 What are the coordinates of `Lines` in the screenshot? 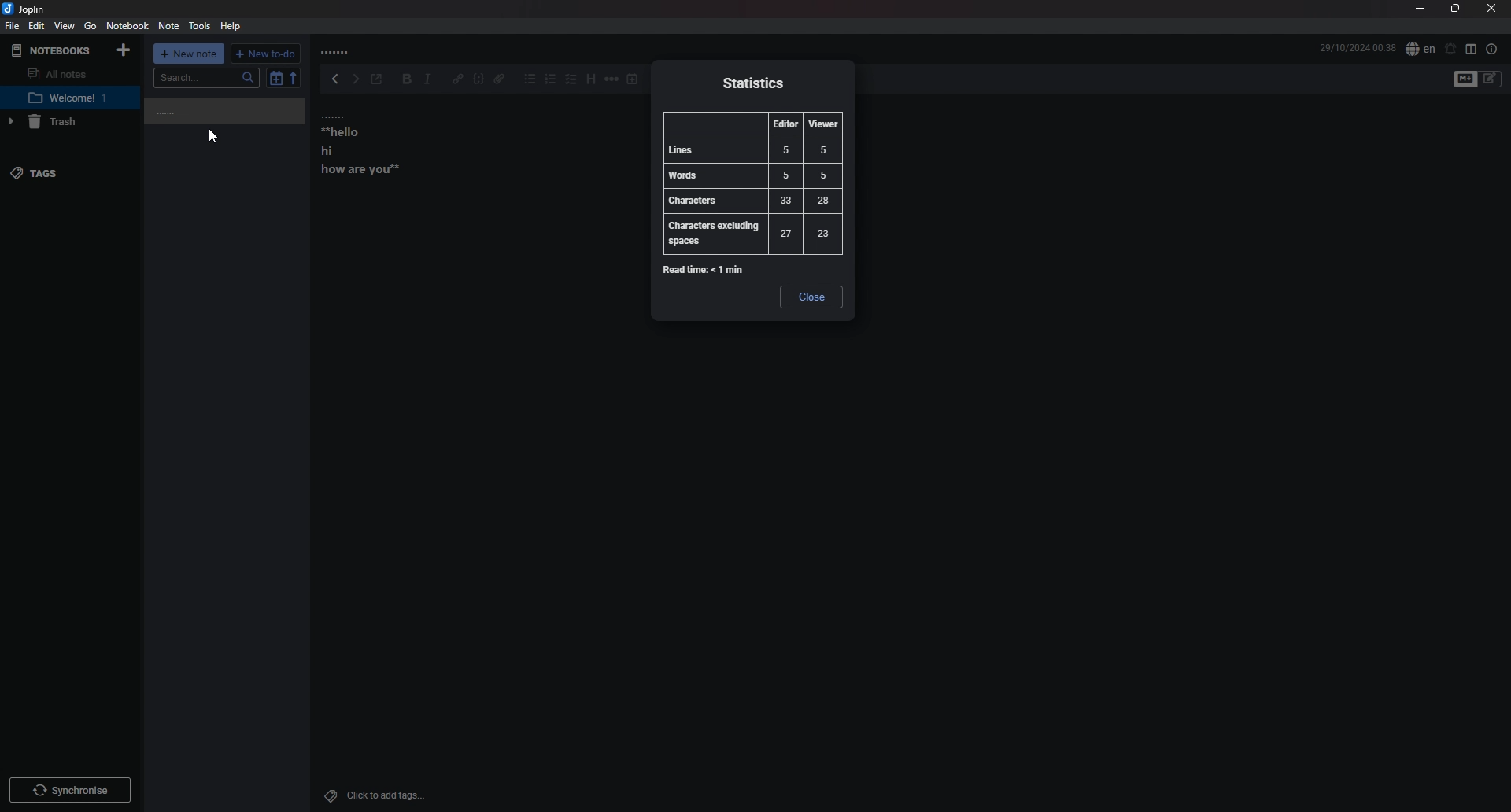 It's located at (751, 151).